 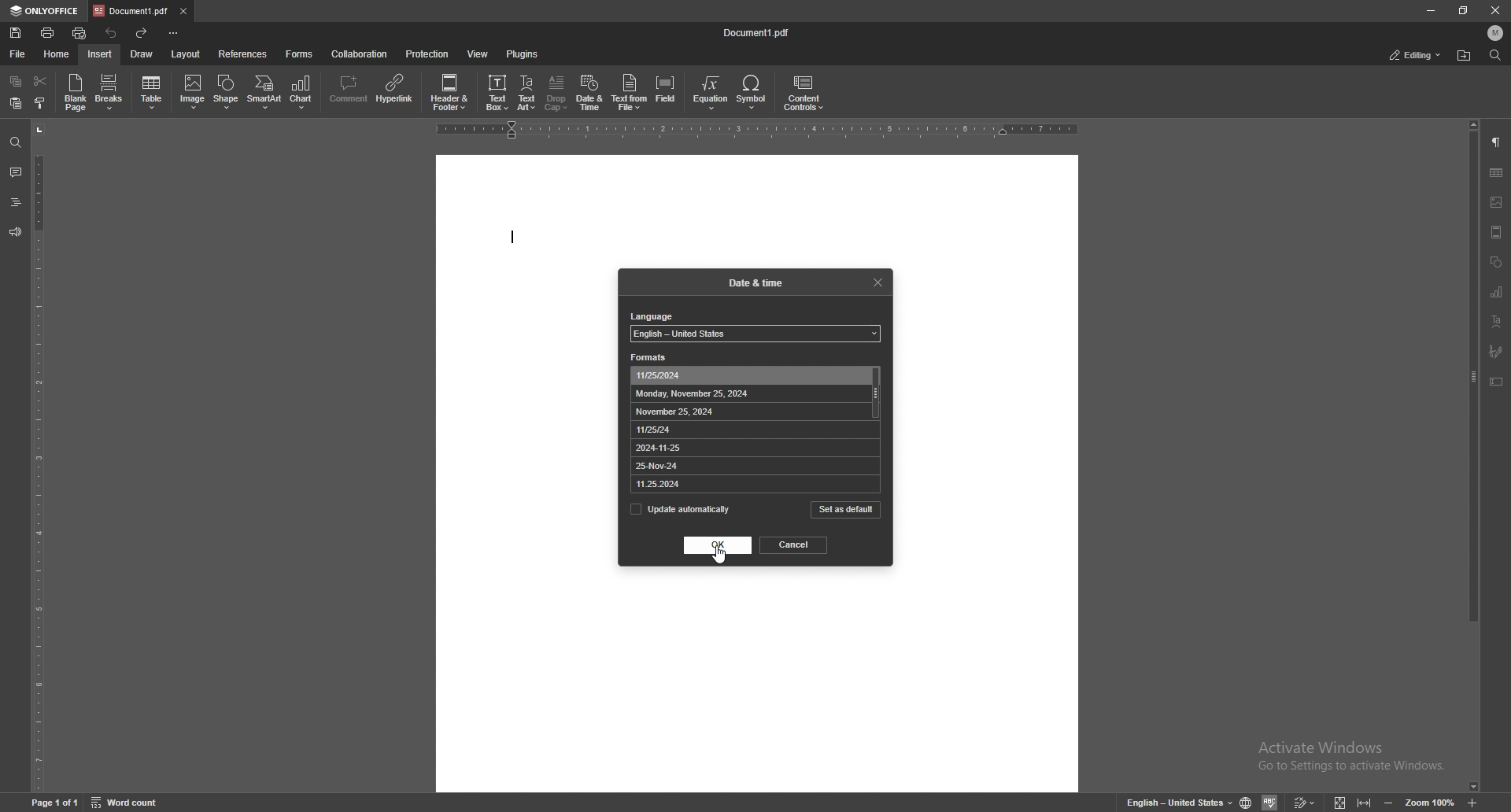 I want to click on insert, so click(x=102, y=54).